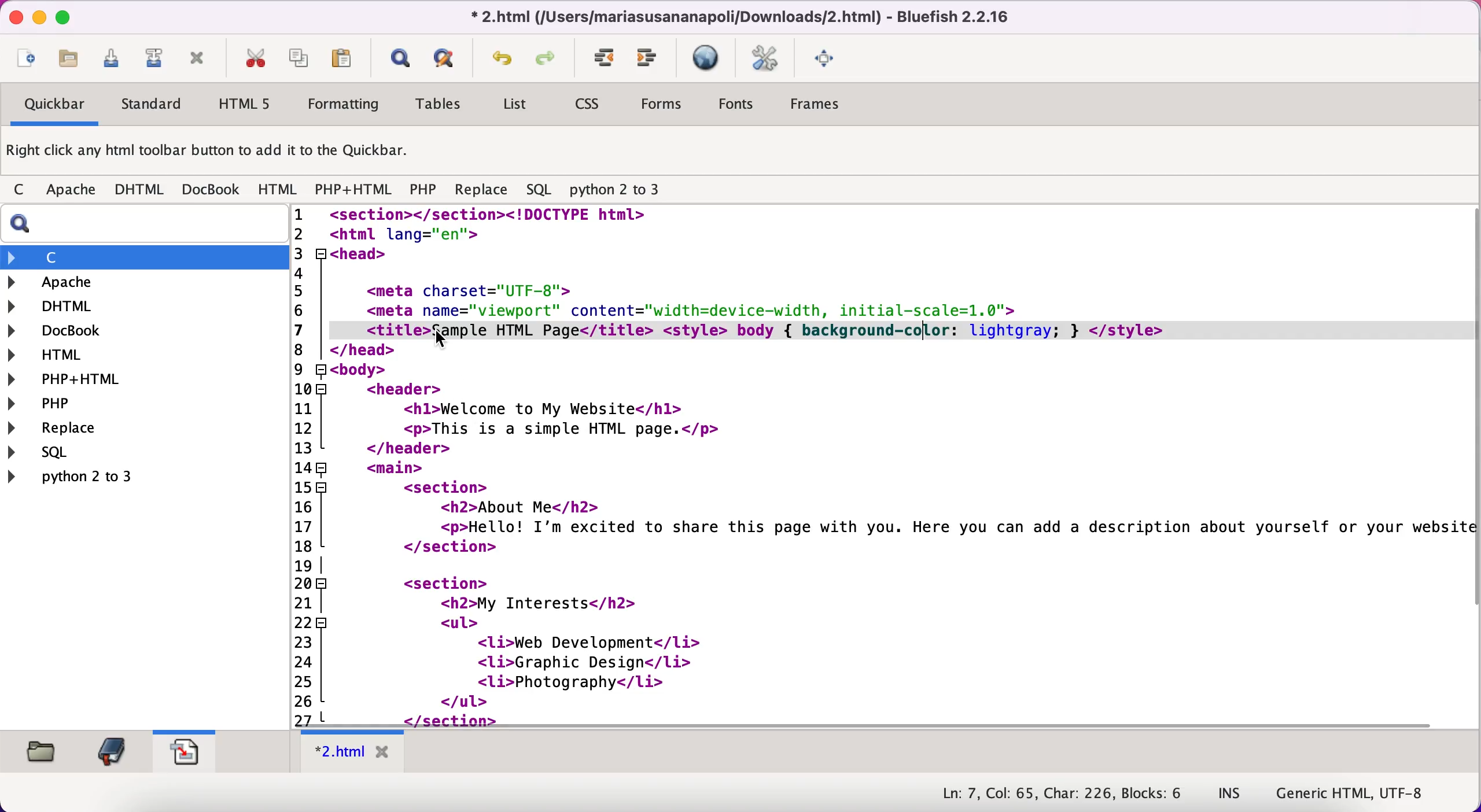  What do you see at coordinates (58, 357) in the screenshot?
I see `html` at bounding box center [58, 357].